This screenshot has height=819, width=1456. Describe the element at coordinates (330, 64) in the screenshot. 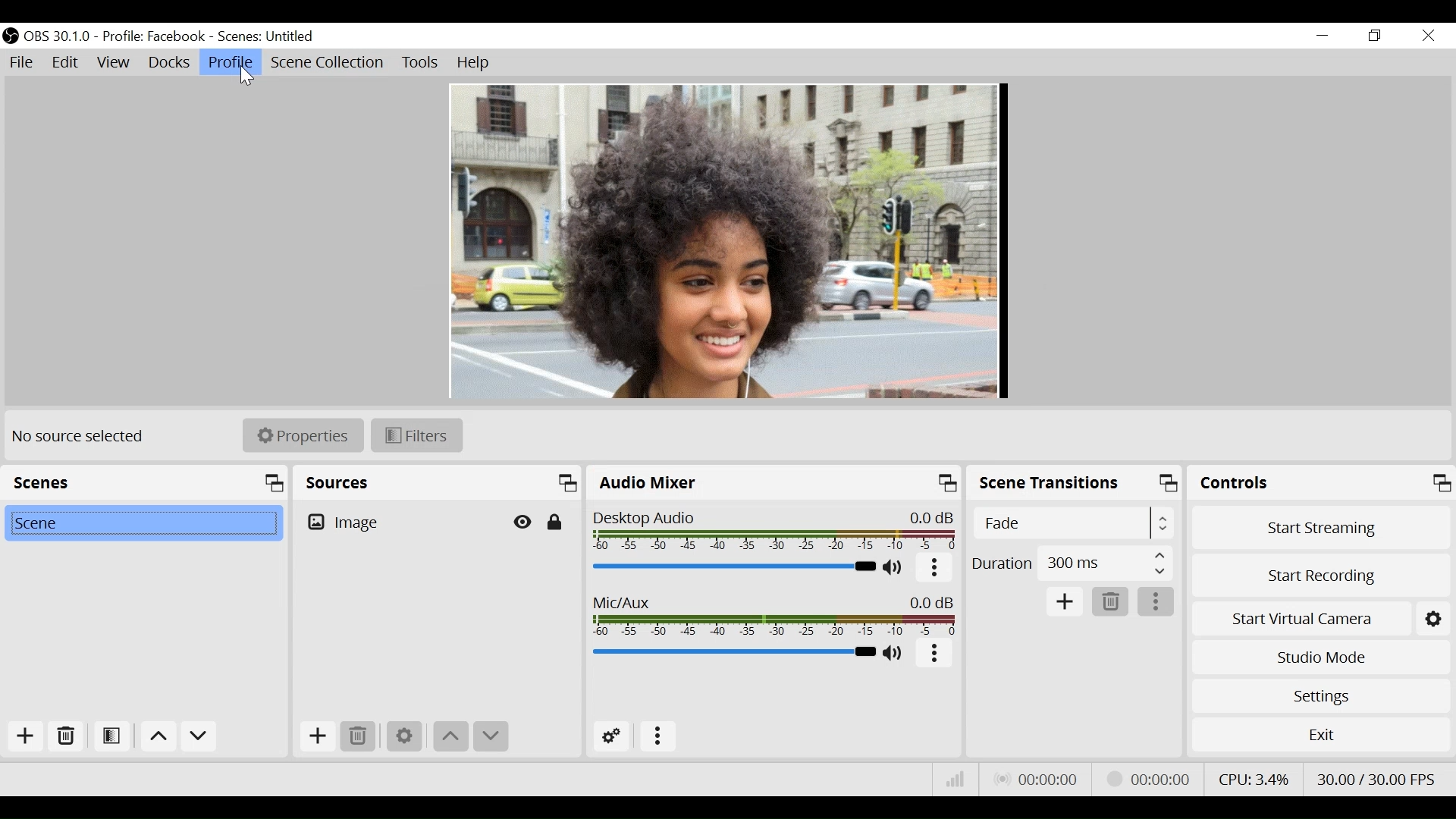

I see `Scene Collection` at that location.